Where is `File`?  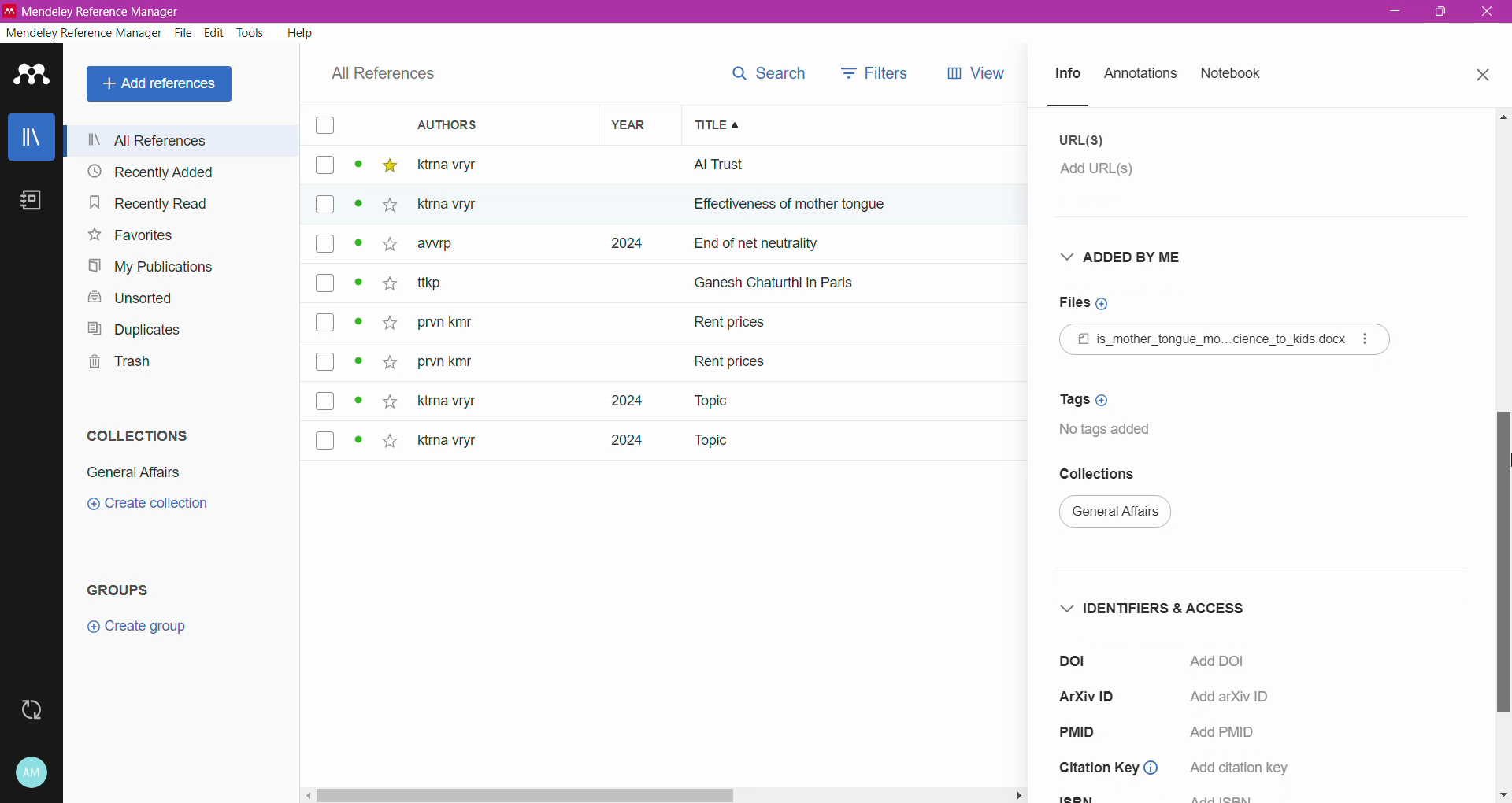
File is located at coordinates (185, 33).